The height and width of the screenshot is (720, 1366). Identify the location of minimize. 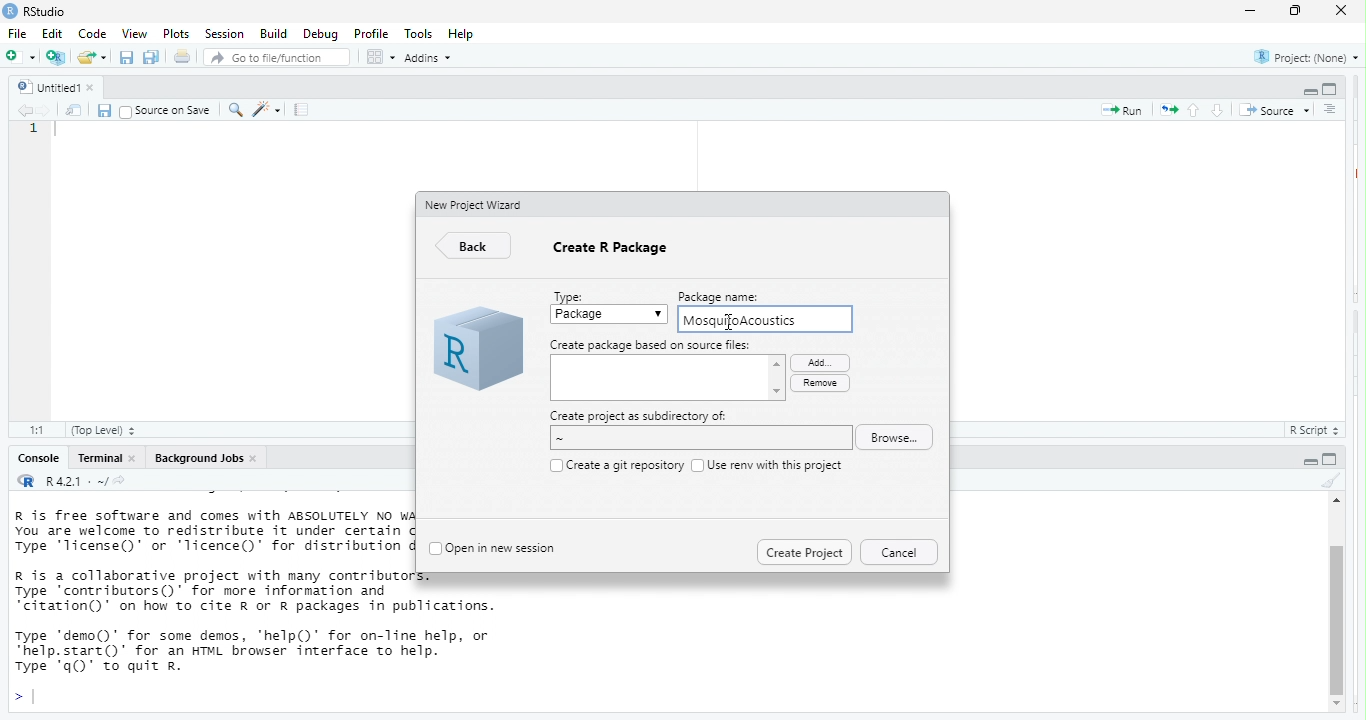
(1250, 11).